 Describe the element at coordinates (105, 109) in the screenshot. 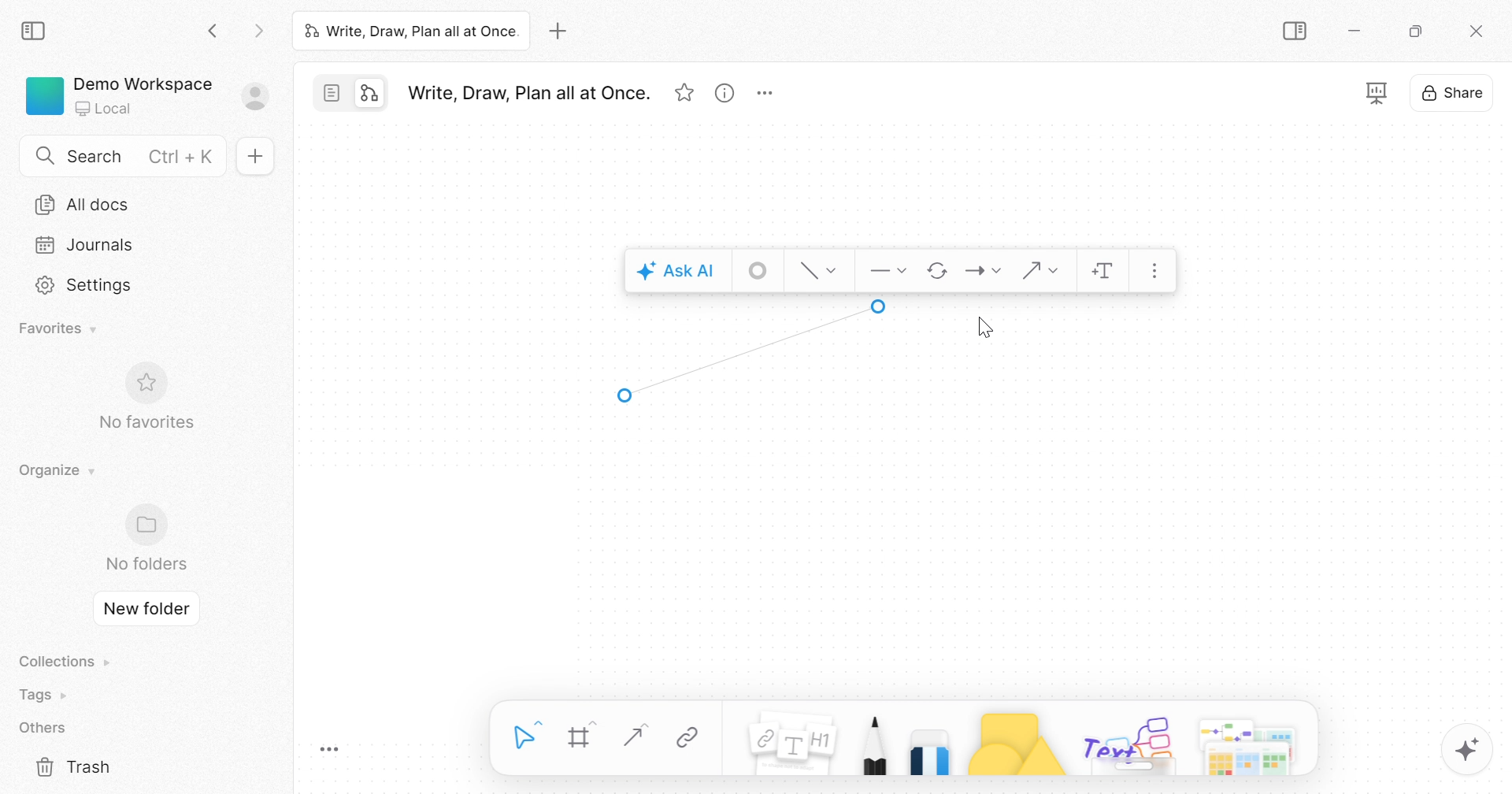

I see `Local` at that location.